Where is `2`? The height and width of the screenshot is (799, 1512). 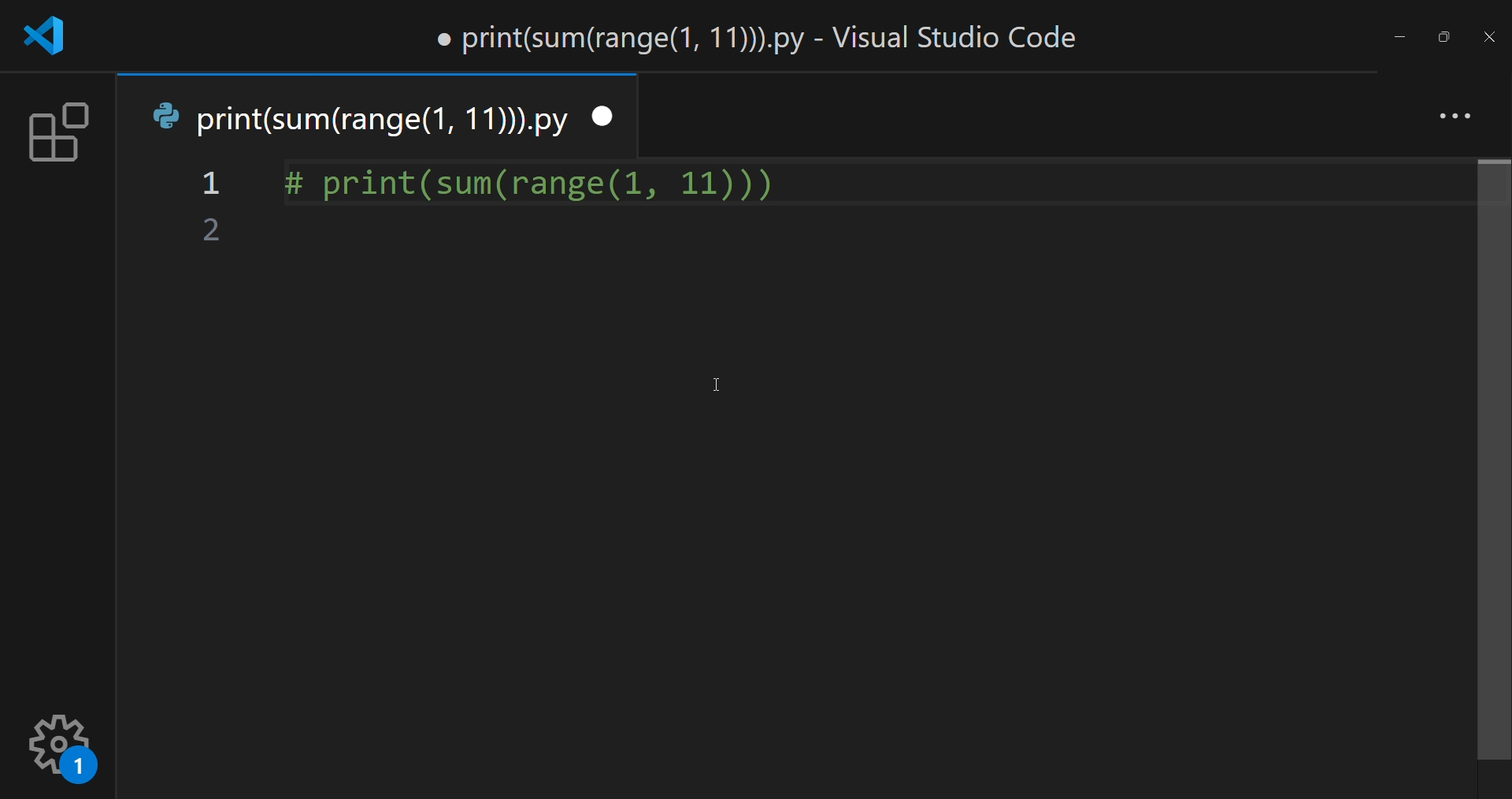
2 is located at coordinates (212, 232).